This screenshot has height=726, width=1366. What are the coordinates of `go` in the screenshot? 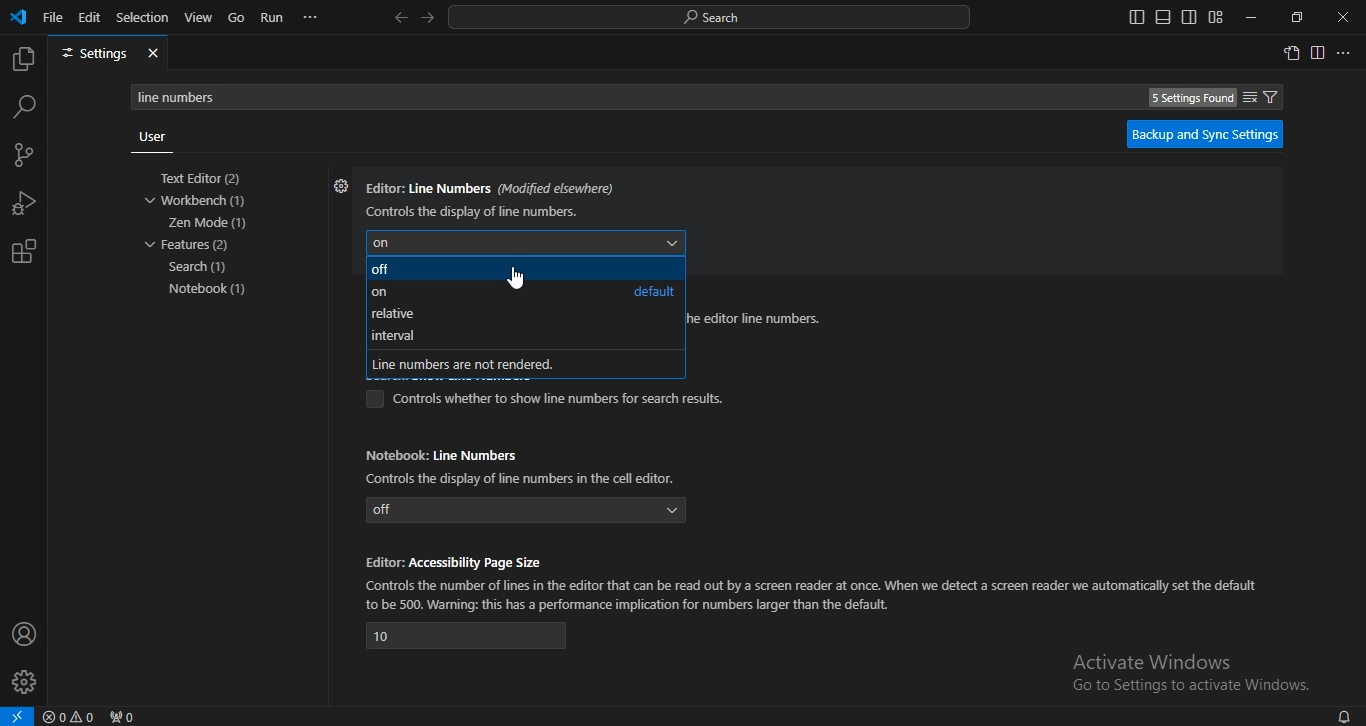 It's located at (237, 19).